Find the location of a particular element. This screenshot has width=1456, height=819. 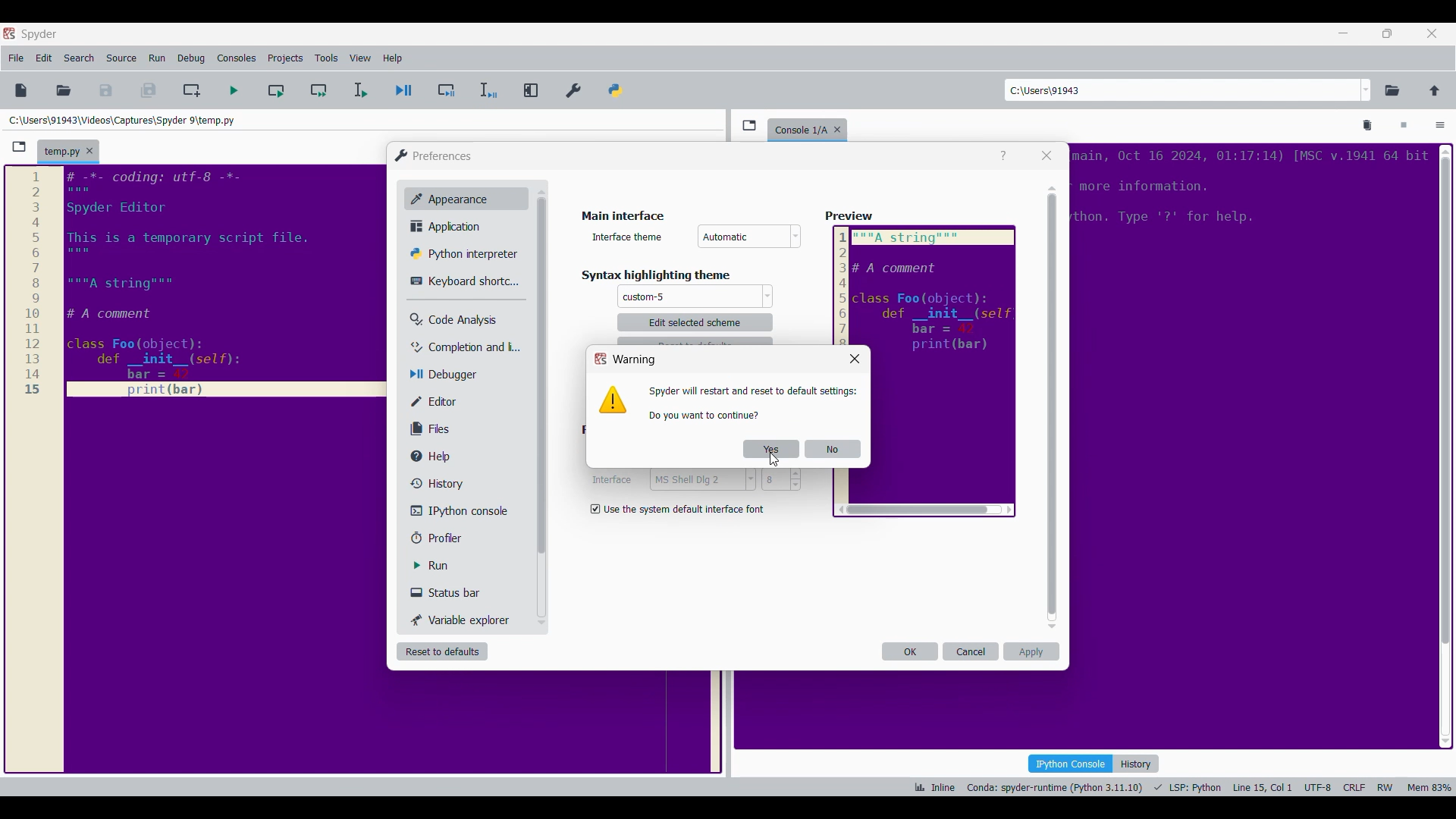

Theme settings is located at coordinates (695, 322).